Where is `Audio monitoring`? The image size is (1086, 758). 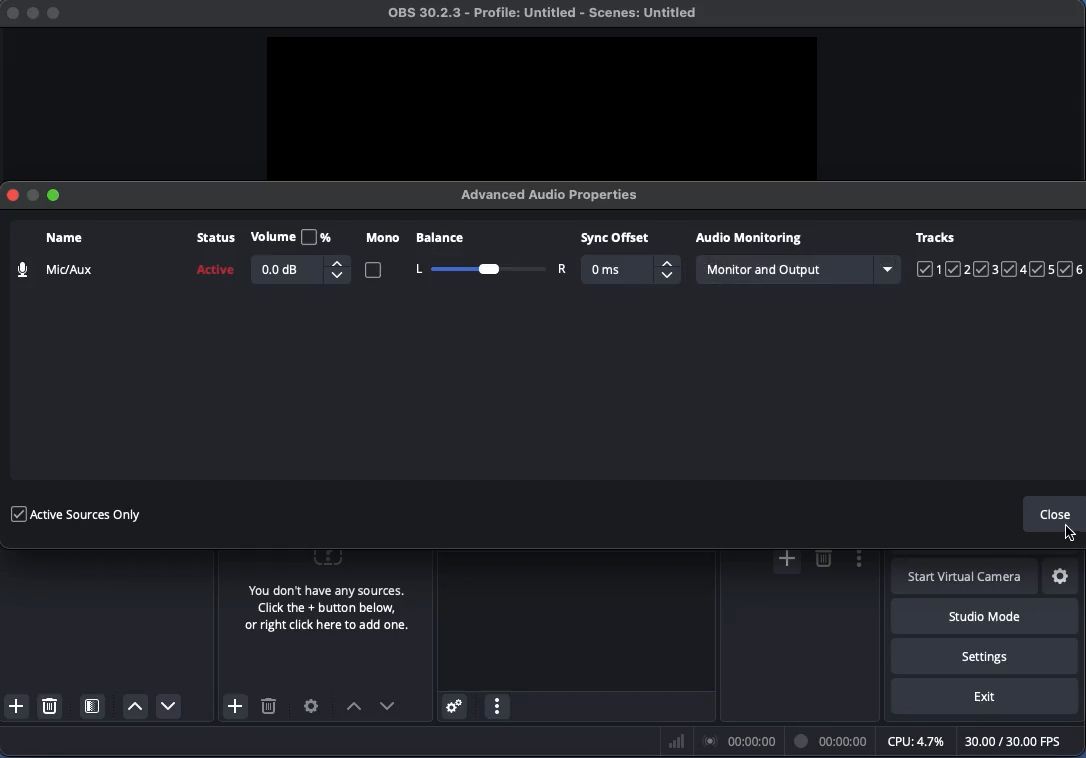 Audio monitoring is located at coordinates (750, 238).